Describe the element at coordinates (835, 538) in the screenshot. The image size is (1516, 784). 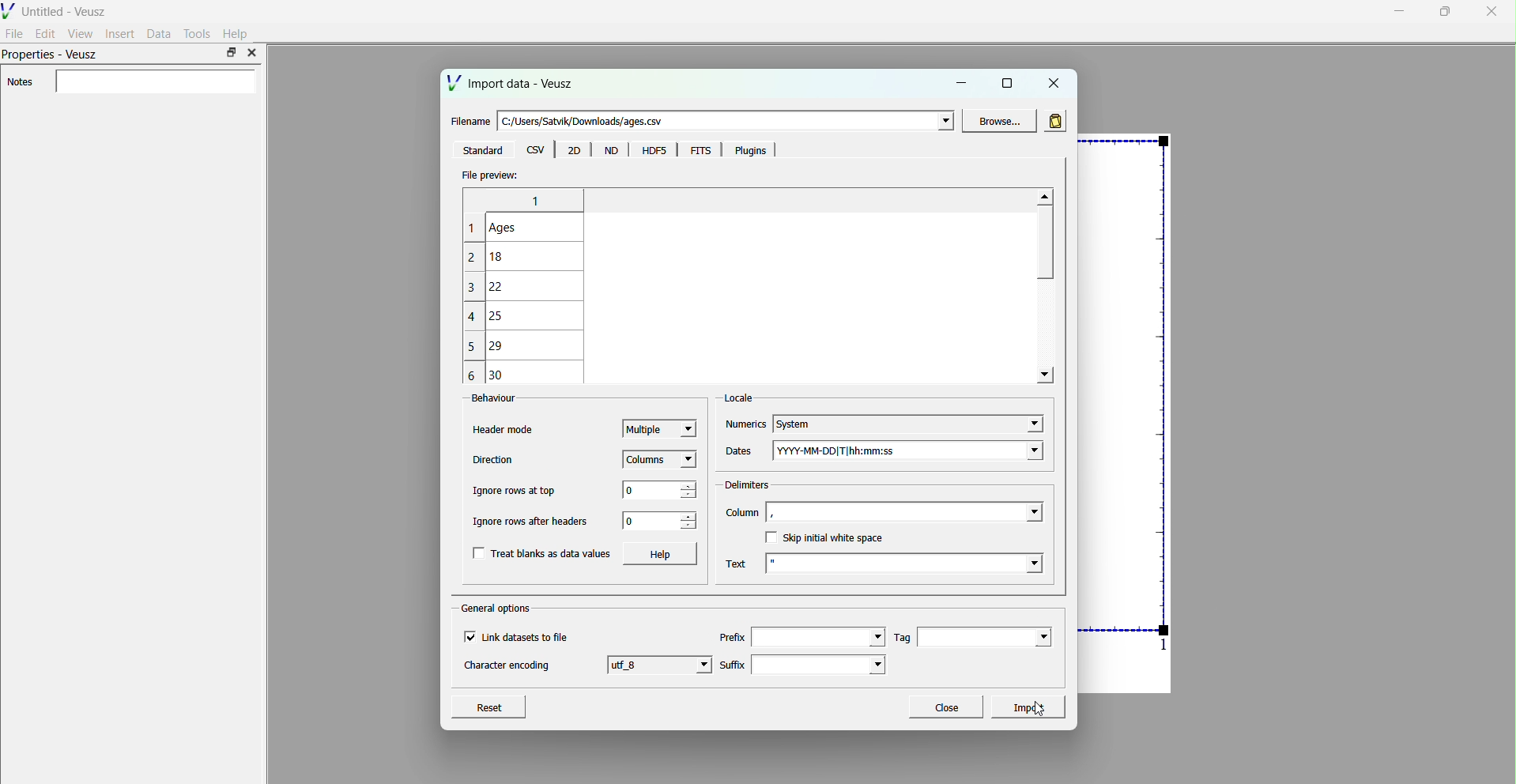
I see `Skip initial white space` at that location.